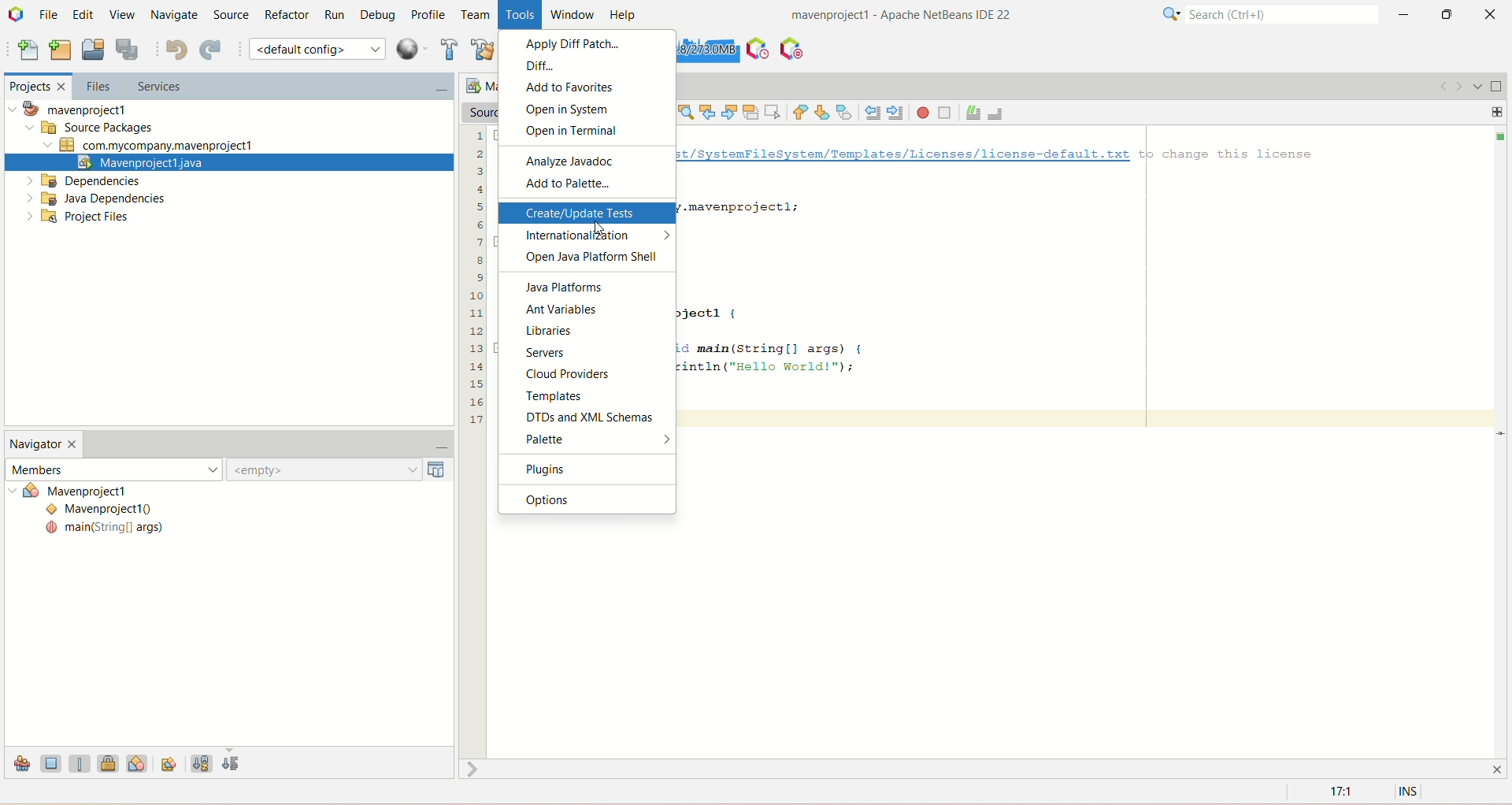 Image resolution: width=1512 pixels, height=805 pixels. Describe the element at coordinates (1494, 13) in the screenshot. I see `close` at that location.